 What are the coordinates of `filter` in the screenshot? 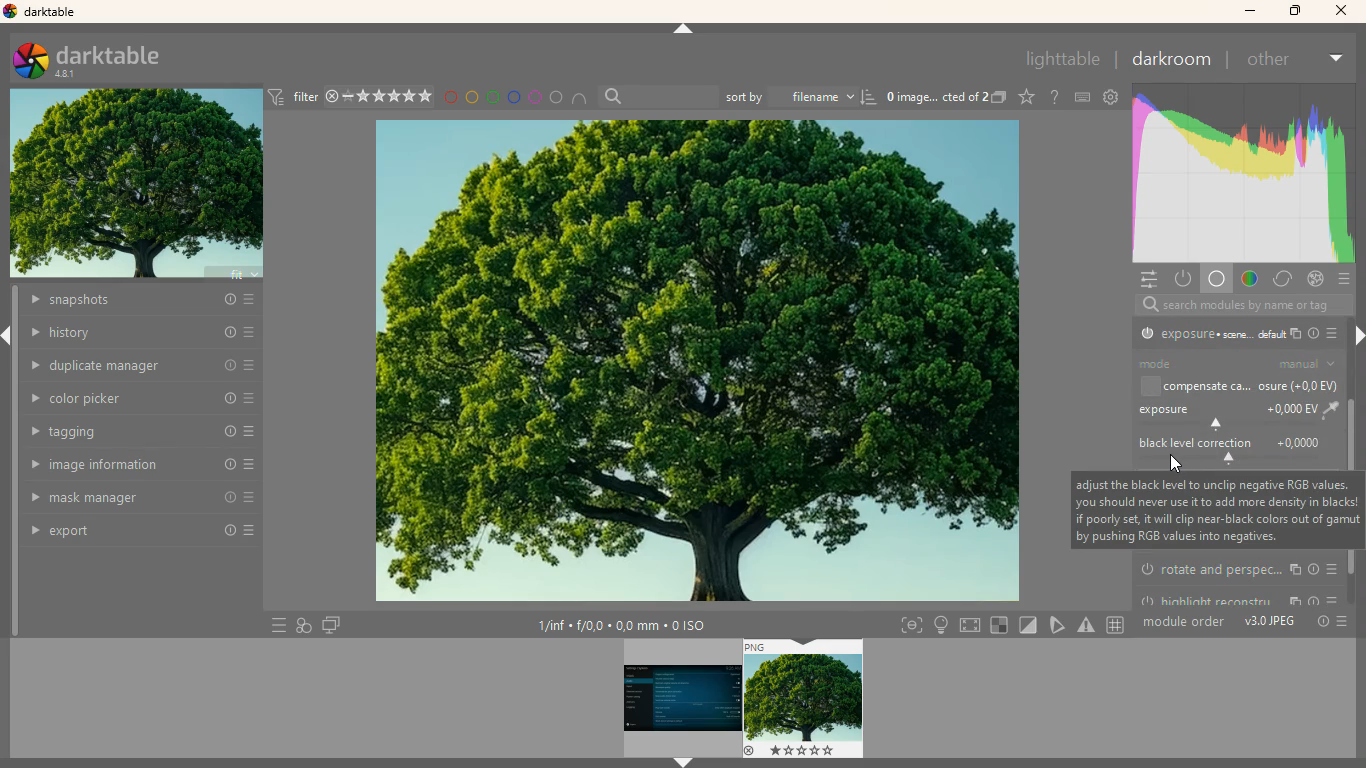 It's located at (305, 94).